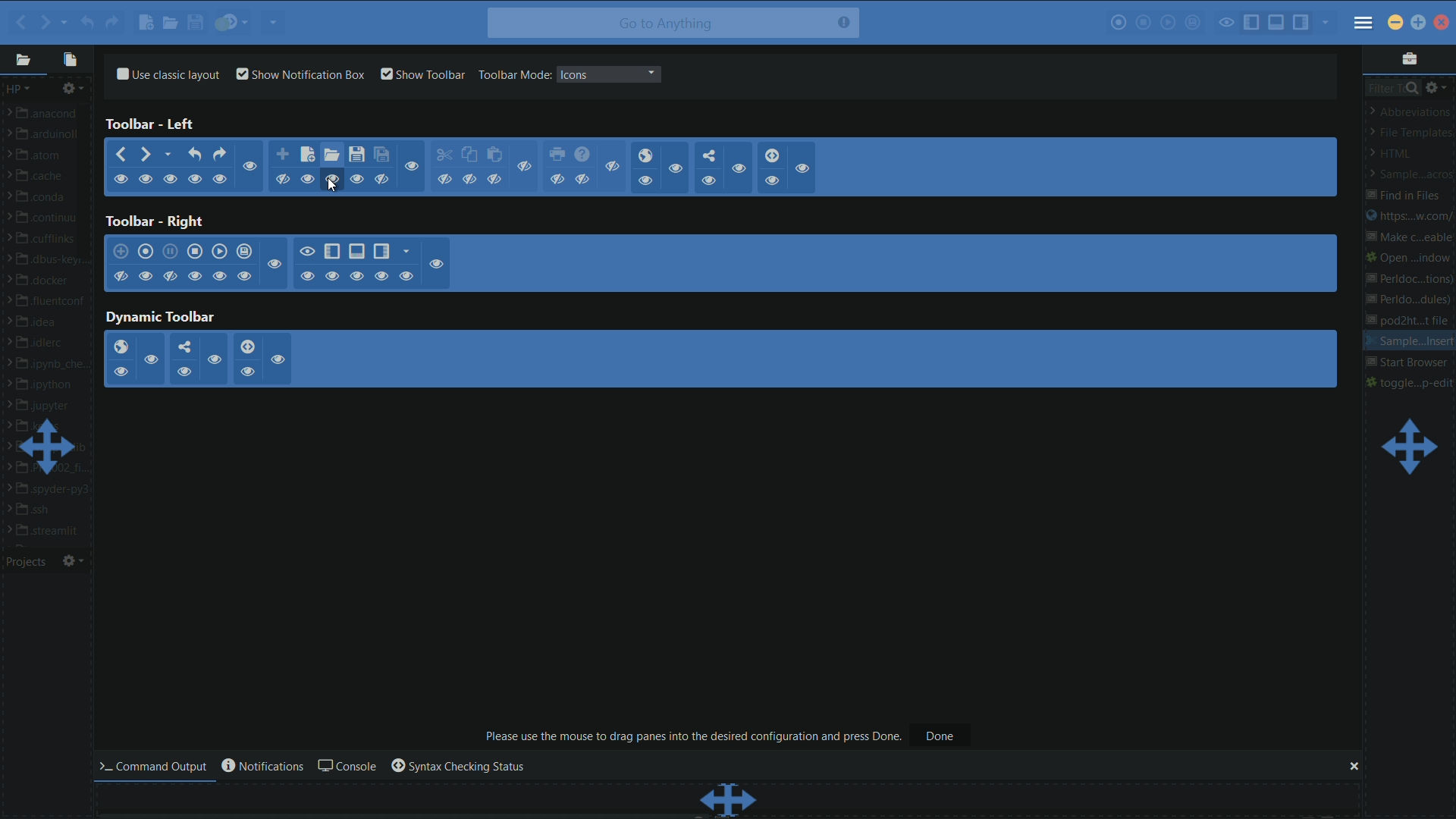 Image resolution: width=1456 pixels, height=819 pixels. Describe the element at coordinates (221, 153) in the screenshot. I see `redo` at that location.